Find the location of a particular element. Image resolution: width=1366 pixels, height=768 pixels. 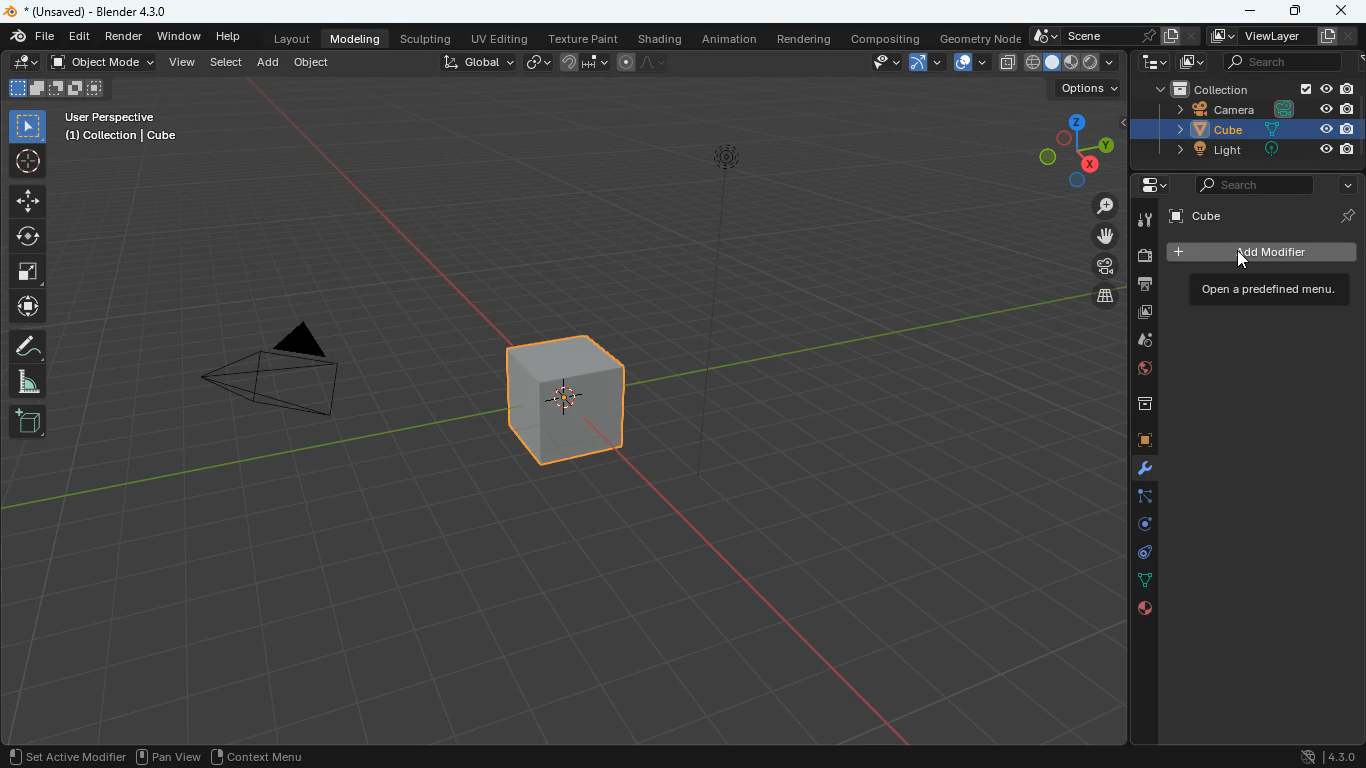

user perspective is located at coordinates (124, 128).